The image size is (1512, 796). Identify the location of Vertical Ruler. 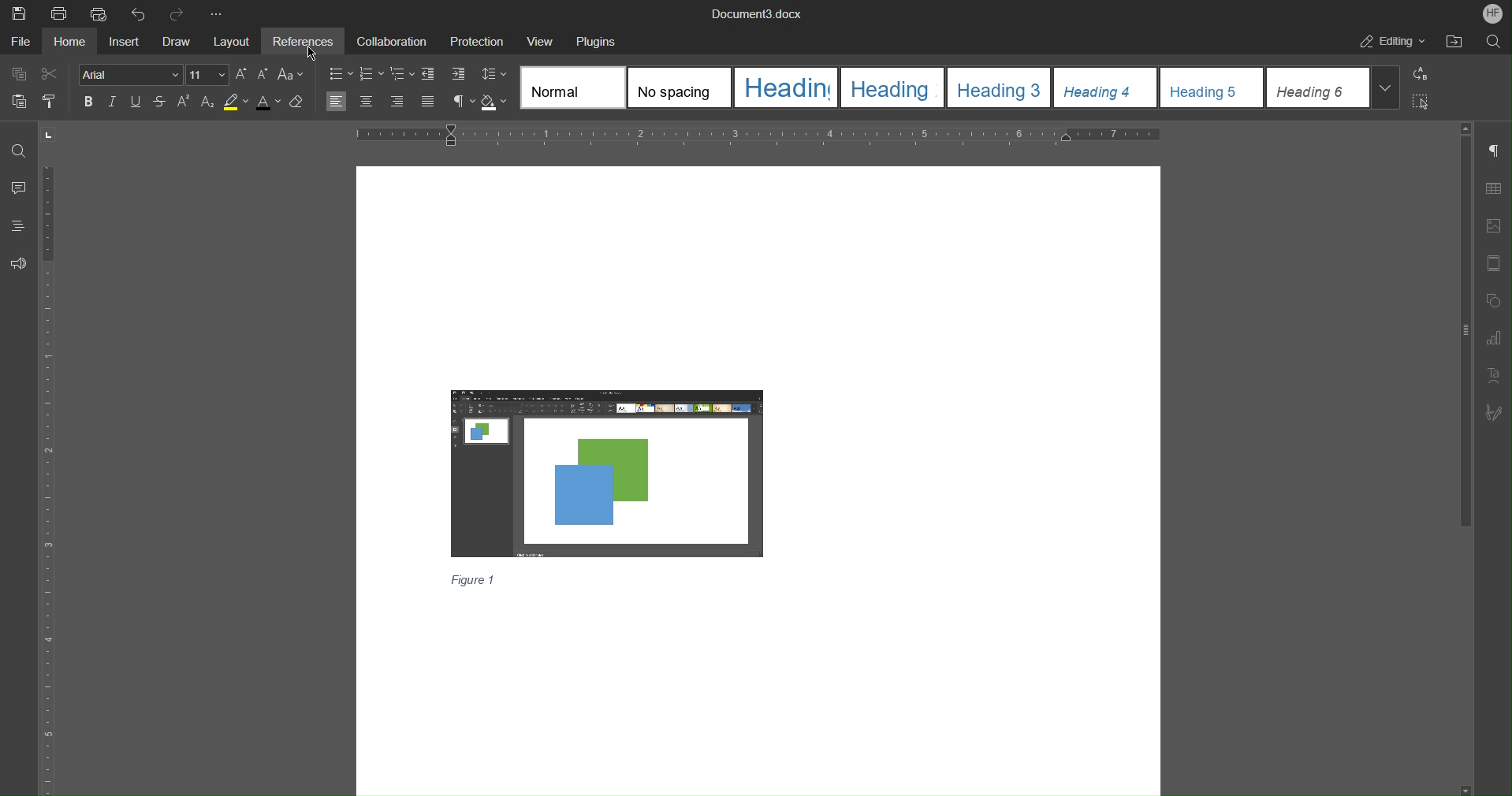
(50, 478).